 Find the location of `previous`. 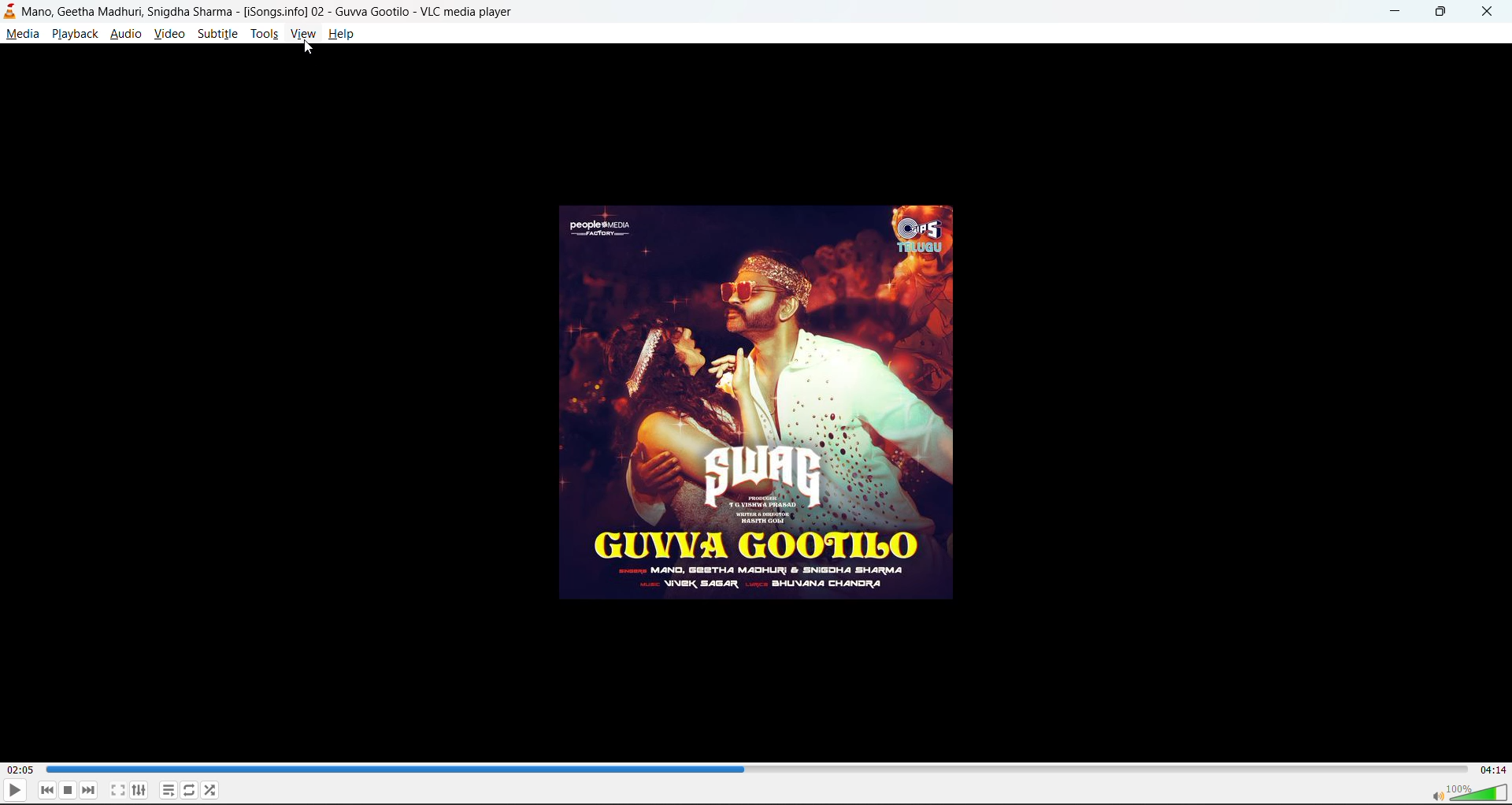

previous is located at coordinates (47, 791).